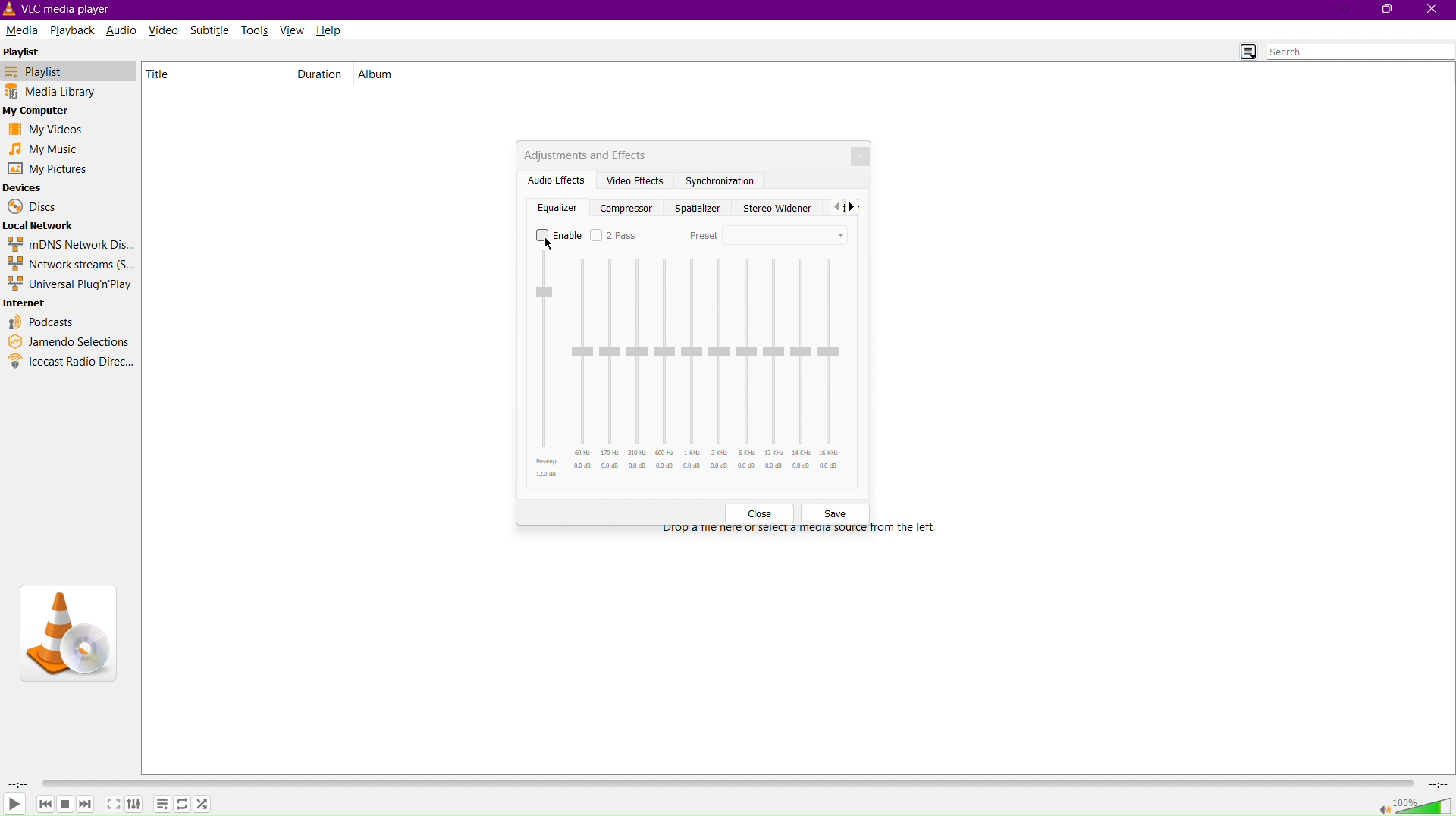 This screenshot has width=1456, height=816. I want to click on 6 KHz, so click(746, 364).